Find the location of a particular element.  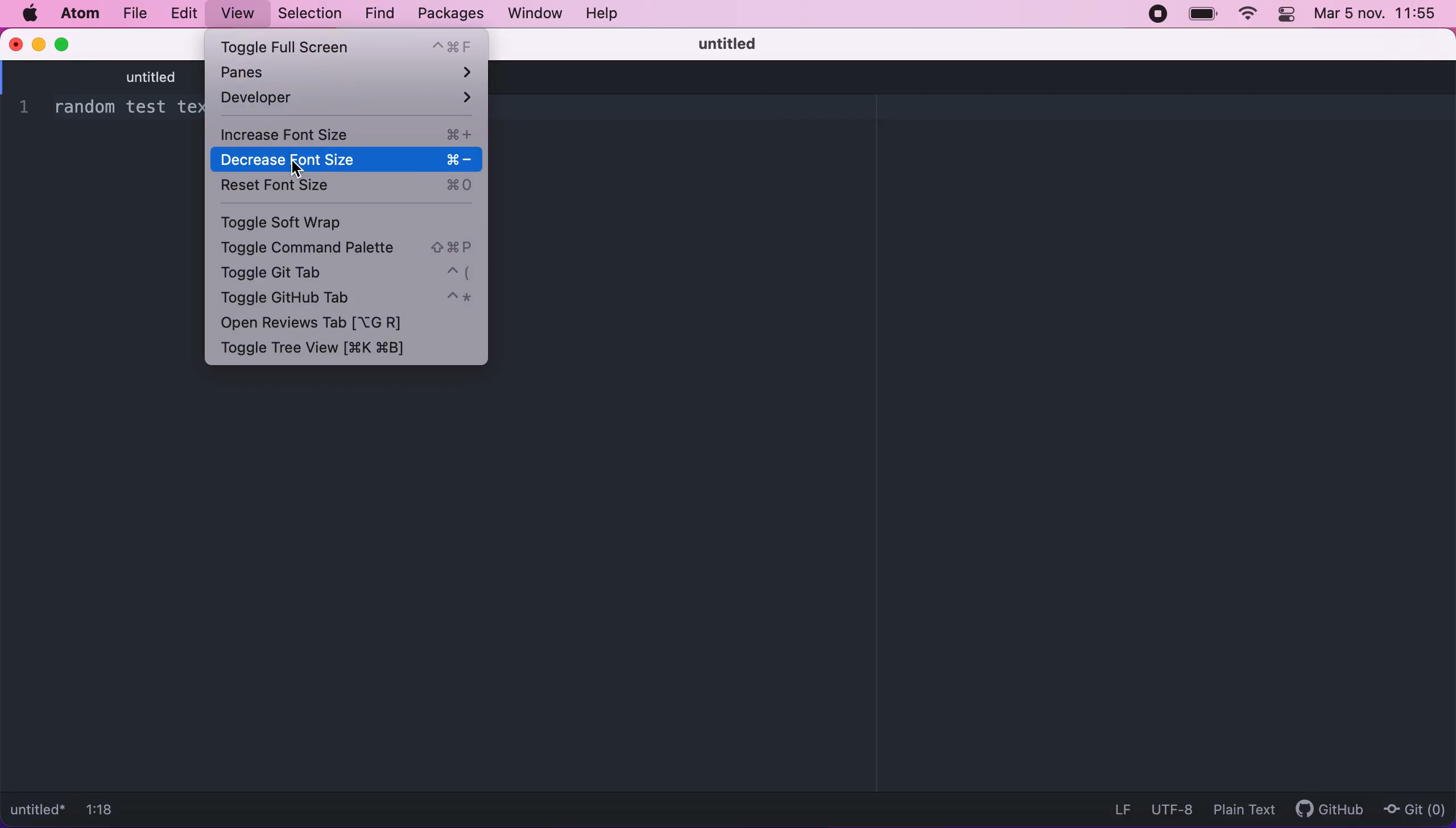

1:18 is located at coordinates (107, 808).